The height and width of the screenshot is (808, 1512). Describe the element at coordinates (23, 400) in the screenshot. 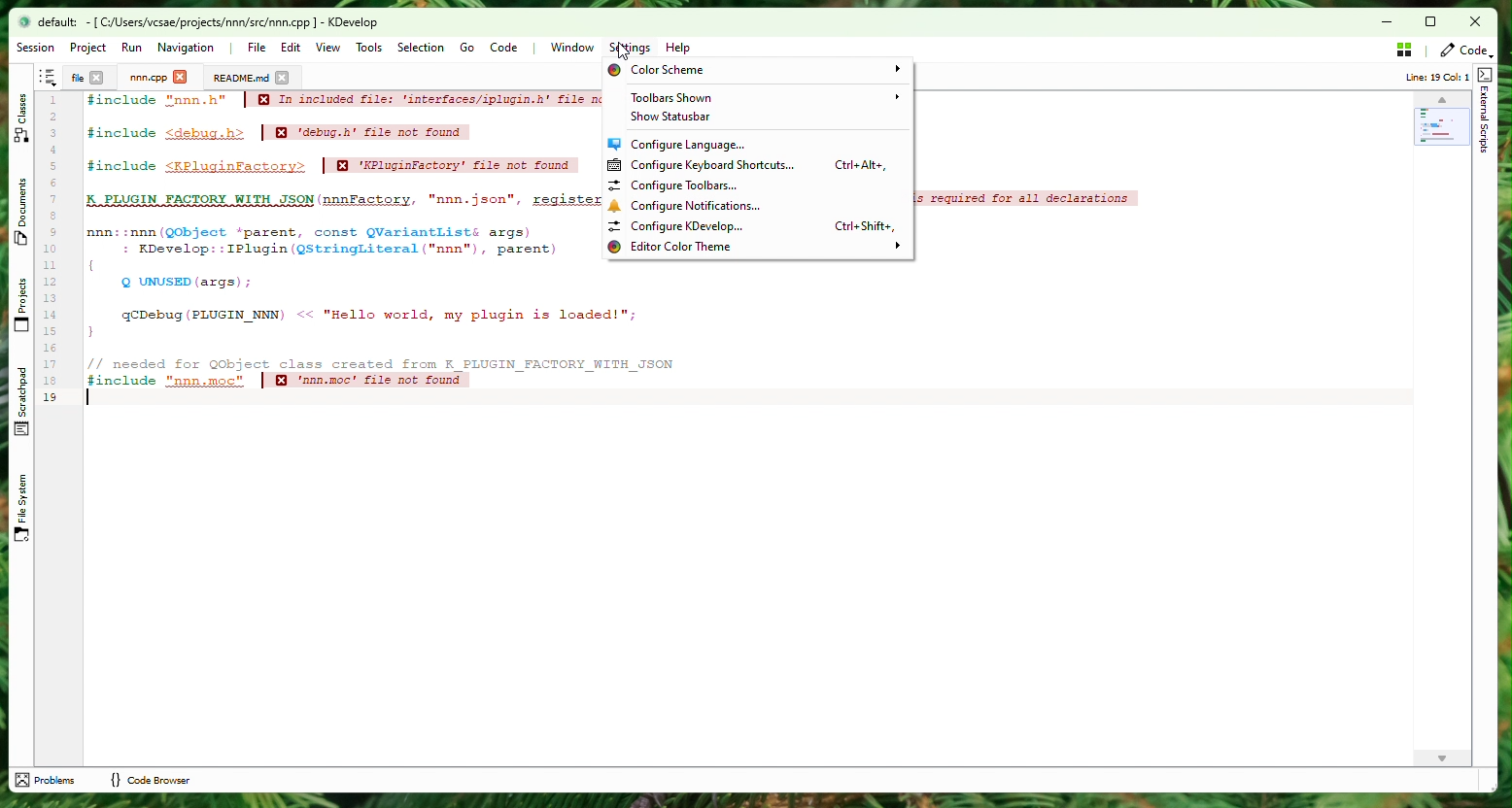

I see `Scratchpad` at that location.